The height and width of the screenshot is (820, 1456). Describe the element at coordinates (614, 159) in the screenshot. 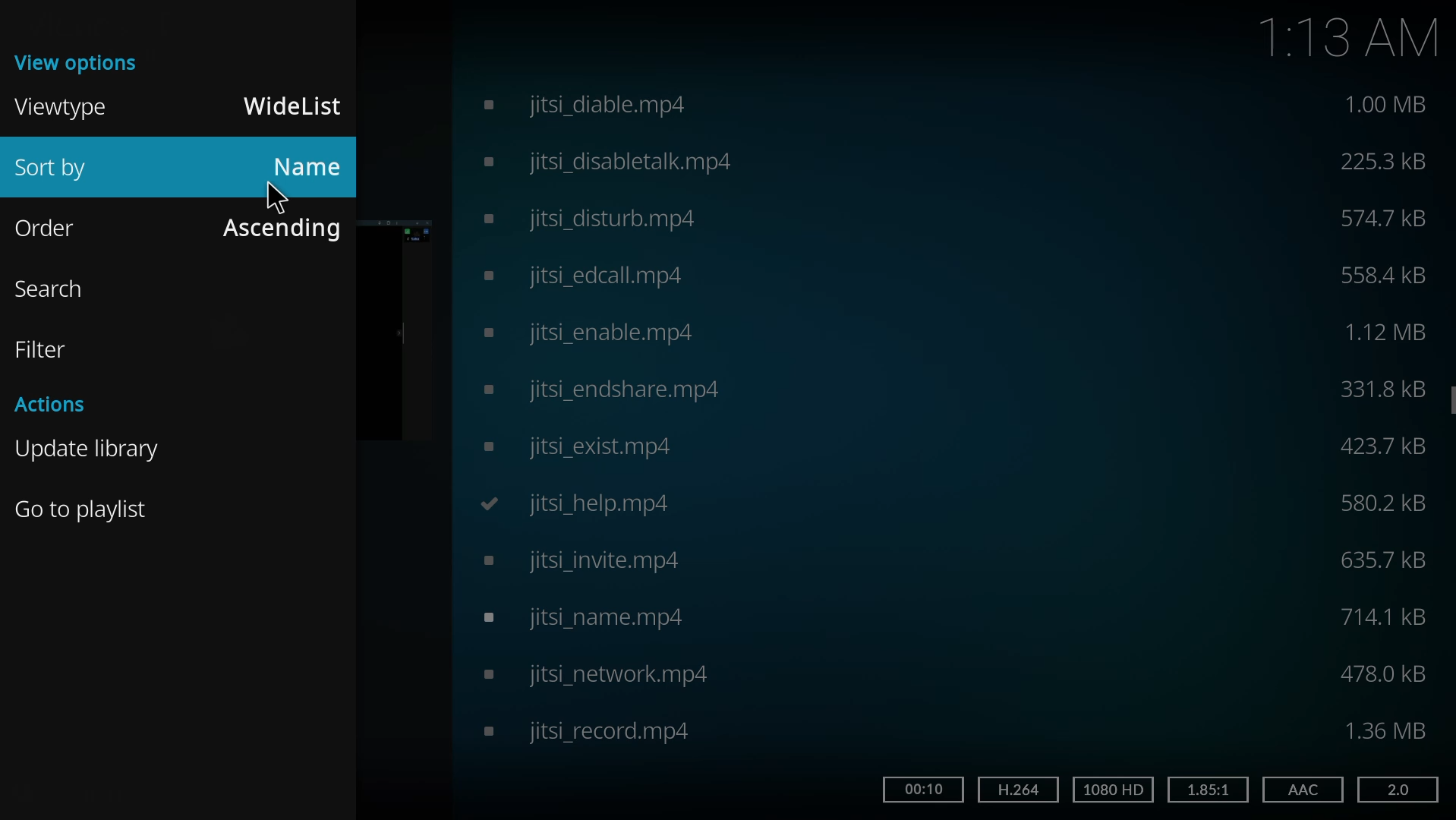

I see `video` at that location.